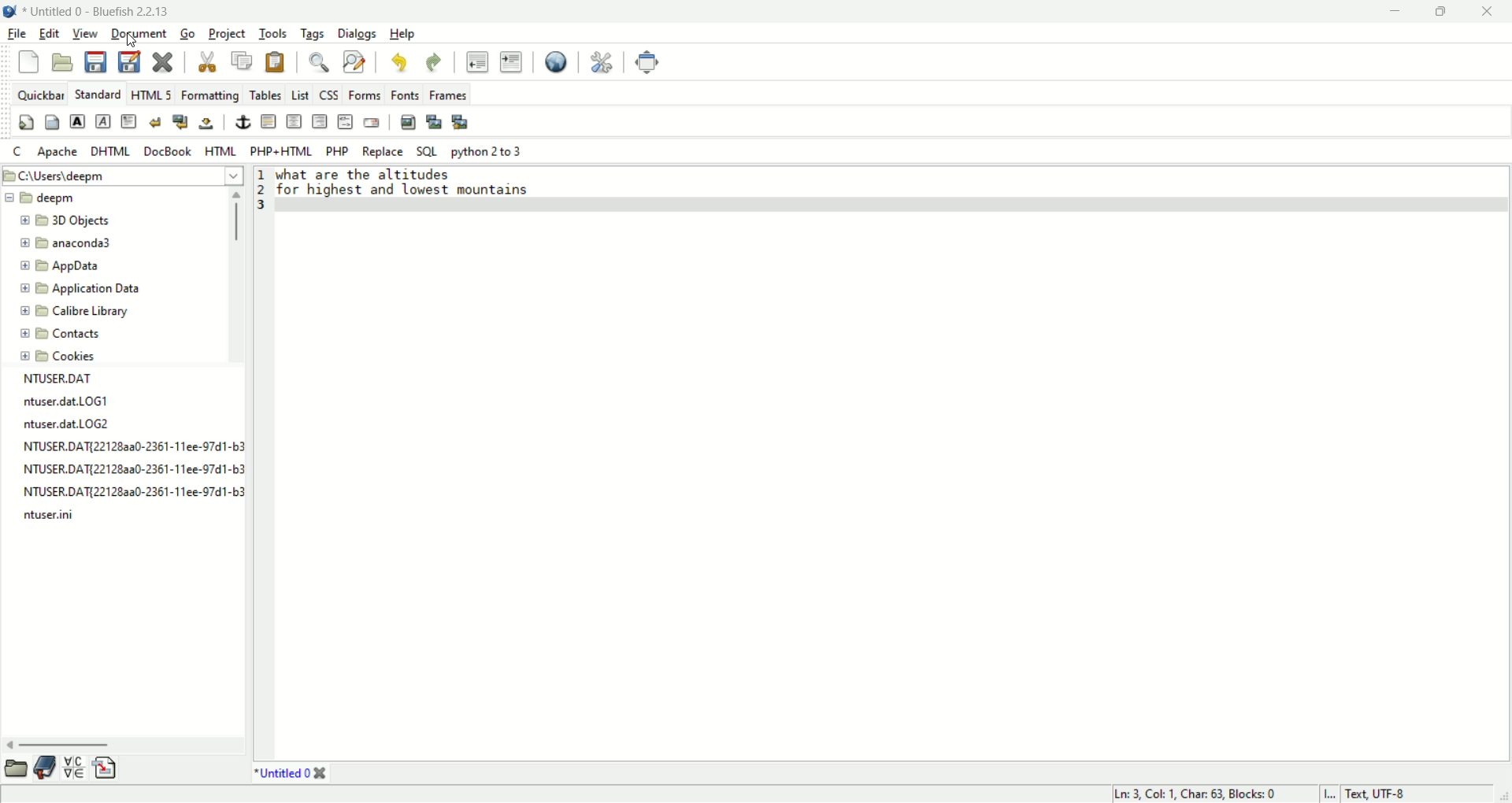  What do you see at coordinates (28, 123) in the screenshot?
I see `quickstart` at bounding box center [28, 123].